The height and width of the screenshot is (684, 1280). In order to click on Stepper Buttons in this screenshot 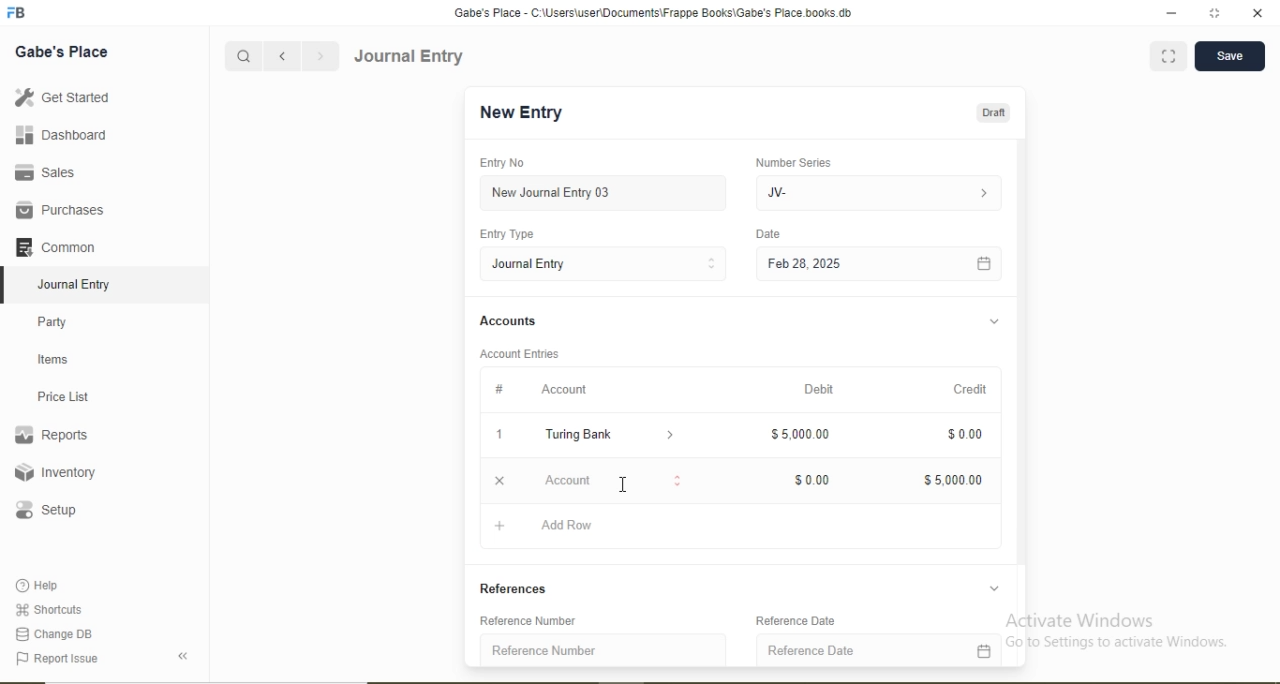, I will do `click(677, 480)`.